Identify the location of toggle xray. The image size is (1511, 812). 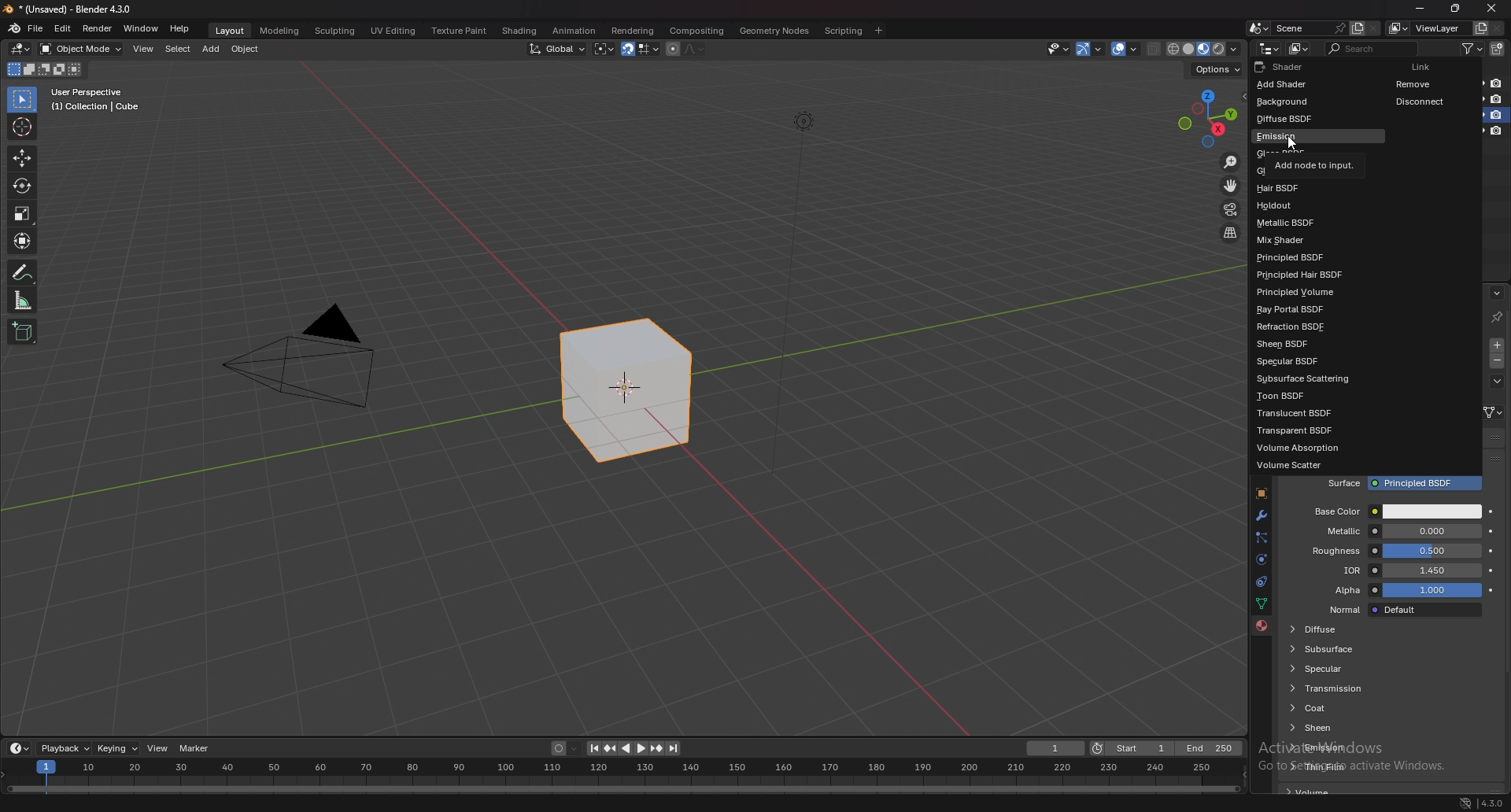
(1154, 49).